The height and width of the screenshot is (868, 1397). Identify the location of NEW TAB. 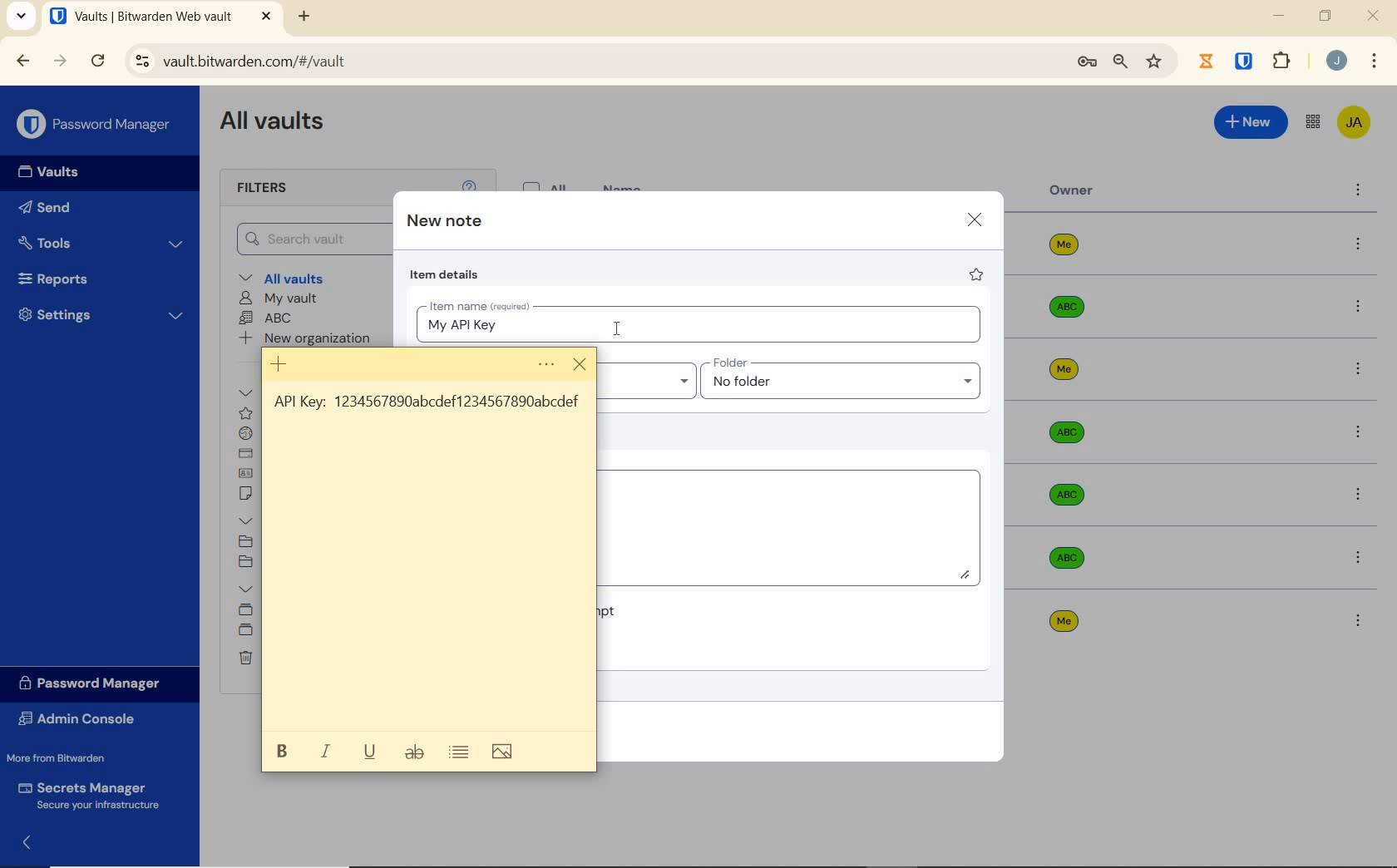
(306, 17).